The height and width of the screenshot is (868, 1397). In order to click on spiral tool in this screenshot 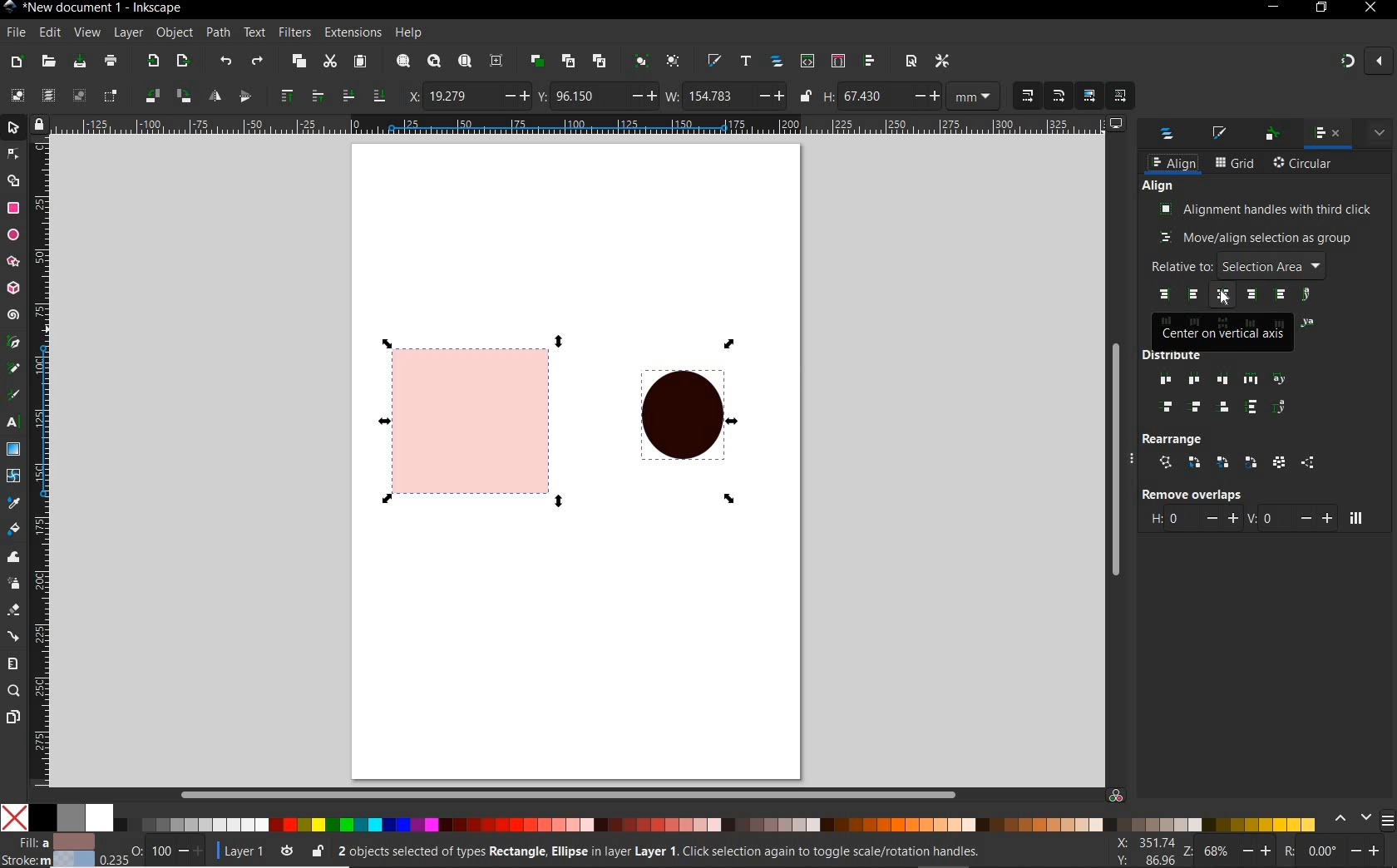, I will do `click(13, 314)`.